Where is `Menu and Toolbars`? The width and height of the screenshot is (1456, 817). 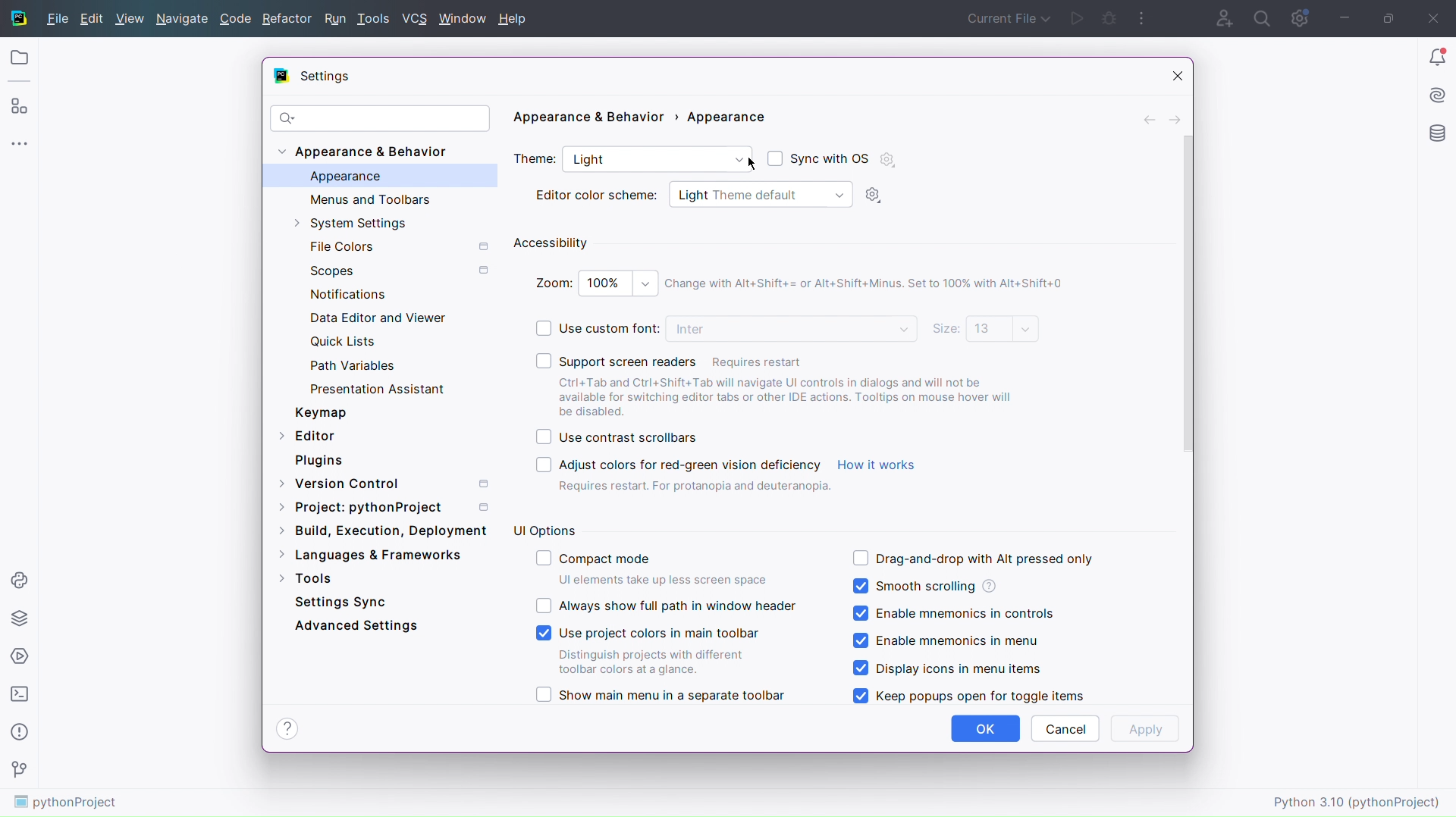 Menu and Toolbars is located at coordinates (368, 199).